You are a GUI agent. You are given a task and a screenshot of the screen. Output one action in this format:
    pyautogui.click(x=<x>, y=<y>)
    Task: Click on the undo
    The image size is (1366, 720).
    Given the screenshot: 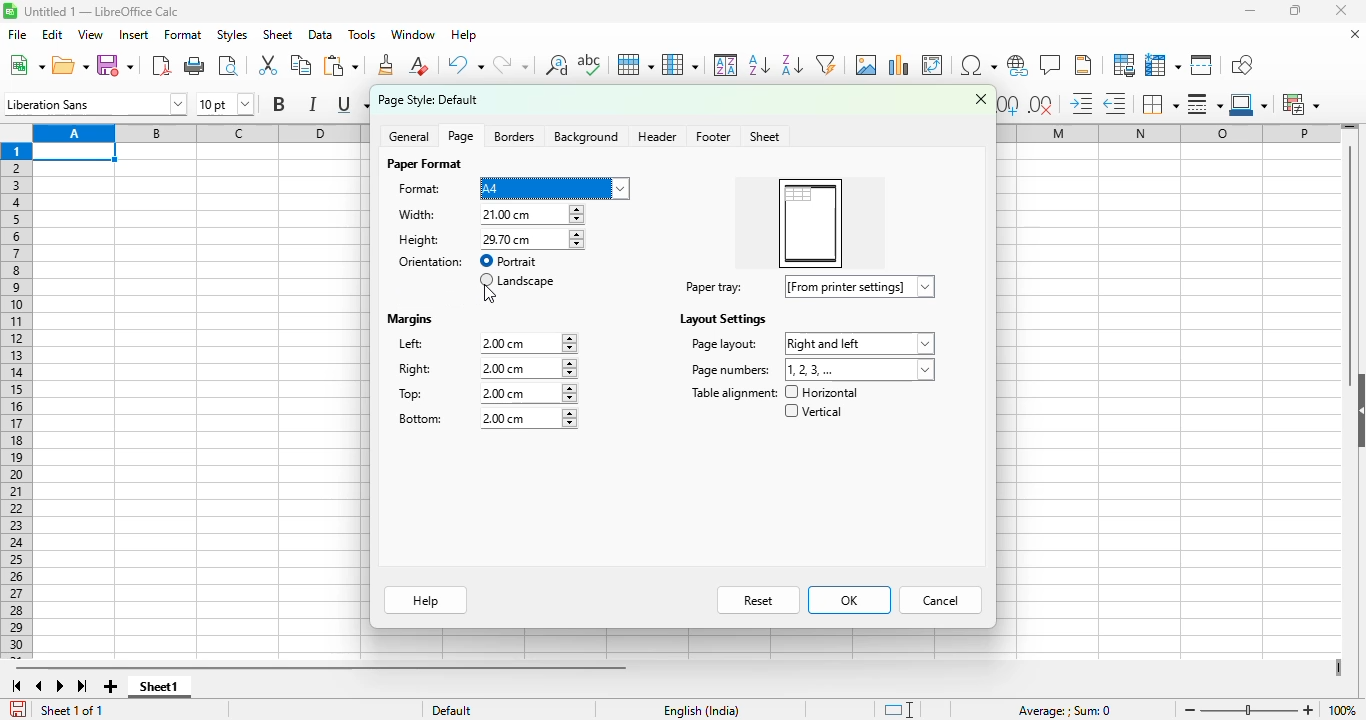 What is the action you would take?
    pyautogui.click(x=464, y=65)
    